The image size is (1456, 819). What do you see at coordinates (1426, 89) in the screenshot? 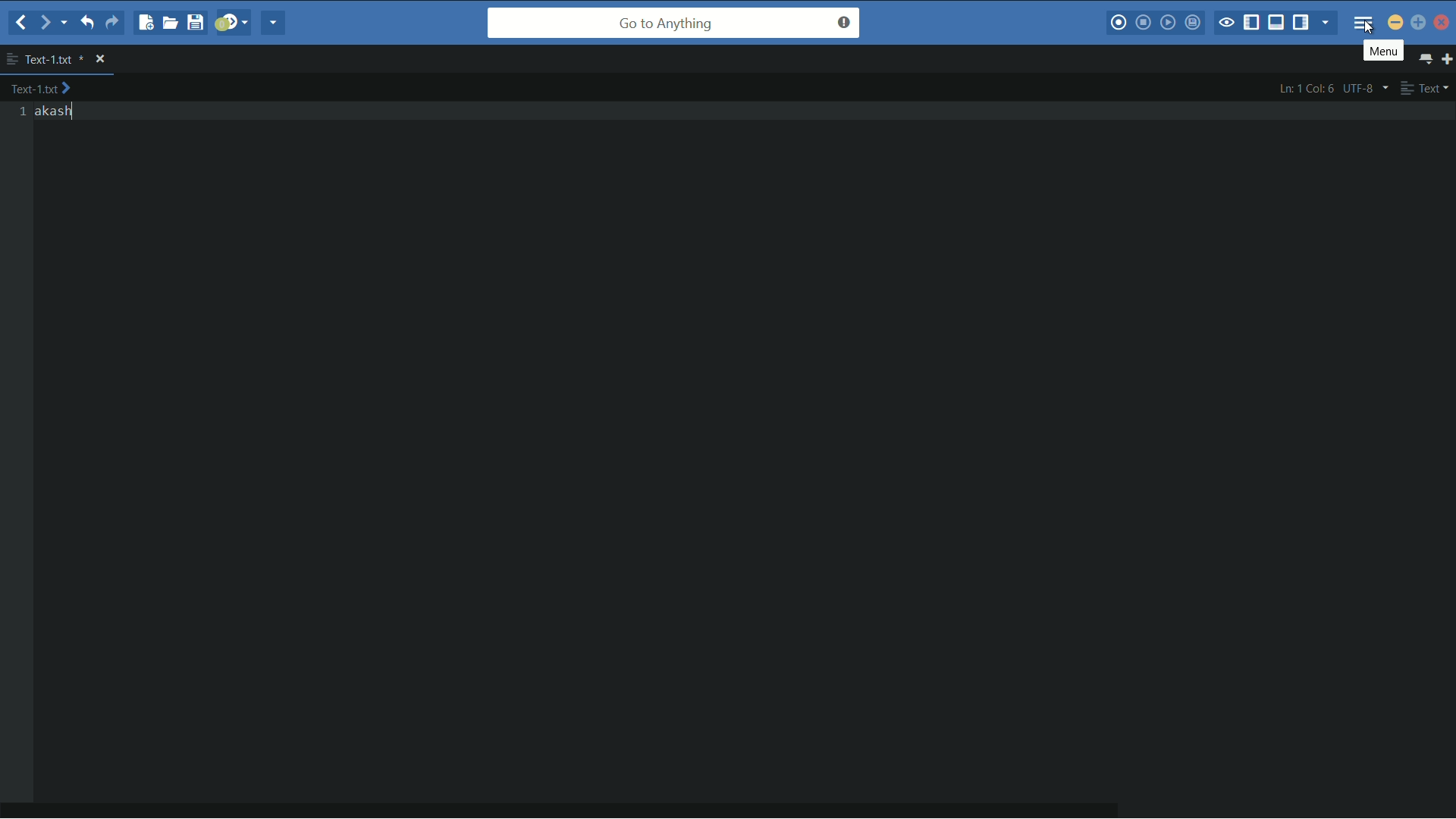
I see `file type` at bounding box center [1426, 89].